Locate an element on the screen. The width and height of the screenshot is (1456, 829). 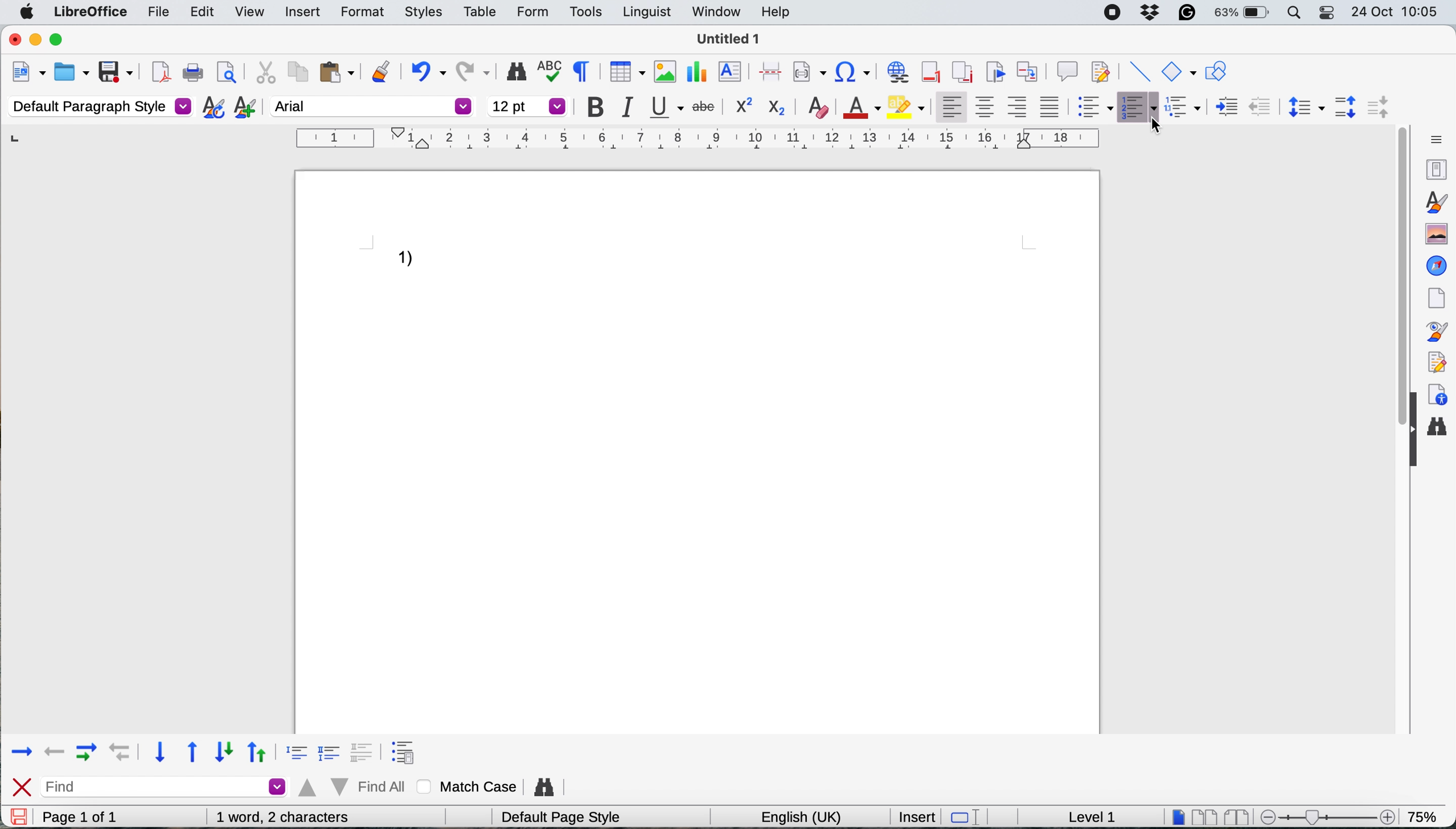
clone formatting is located at coordinates (381, 70).